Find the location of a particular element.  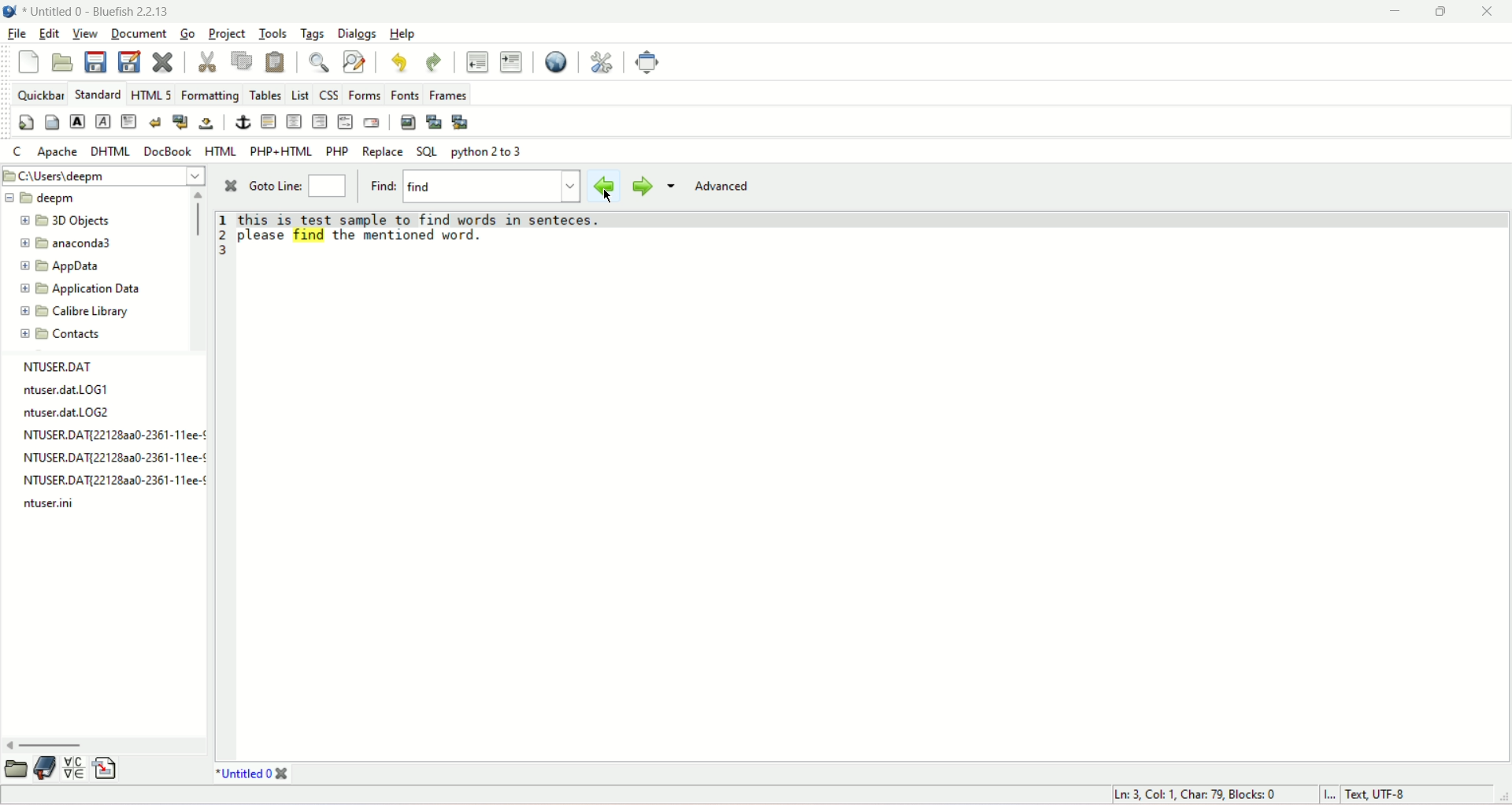

close tab is located at coordinates (282, 773).